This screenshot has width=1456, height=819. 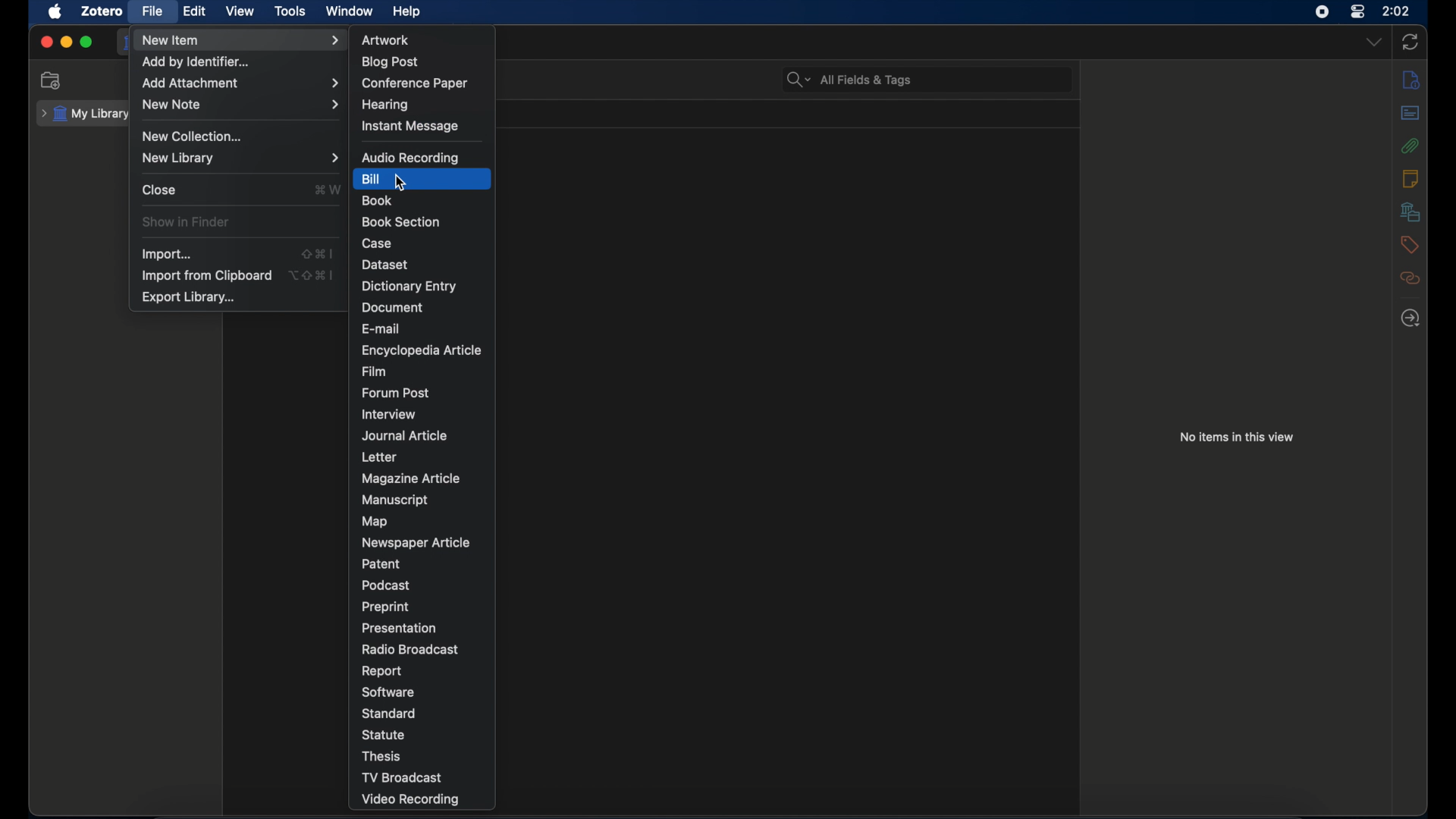 I want to click on my library, so click(x=88, y=114).